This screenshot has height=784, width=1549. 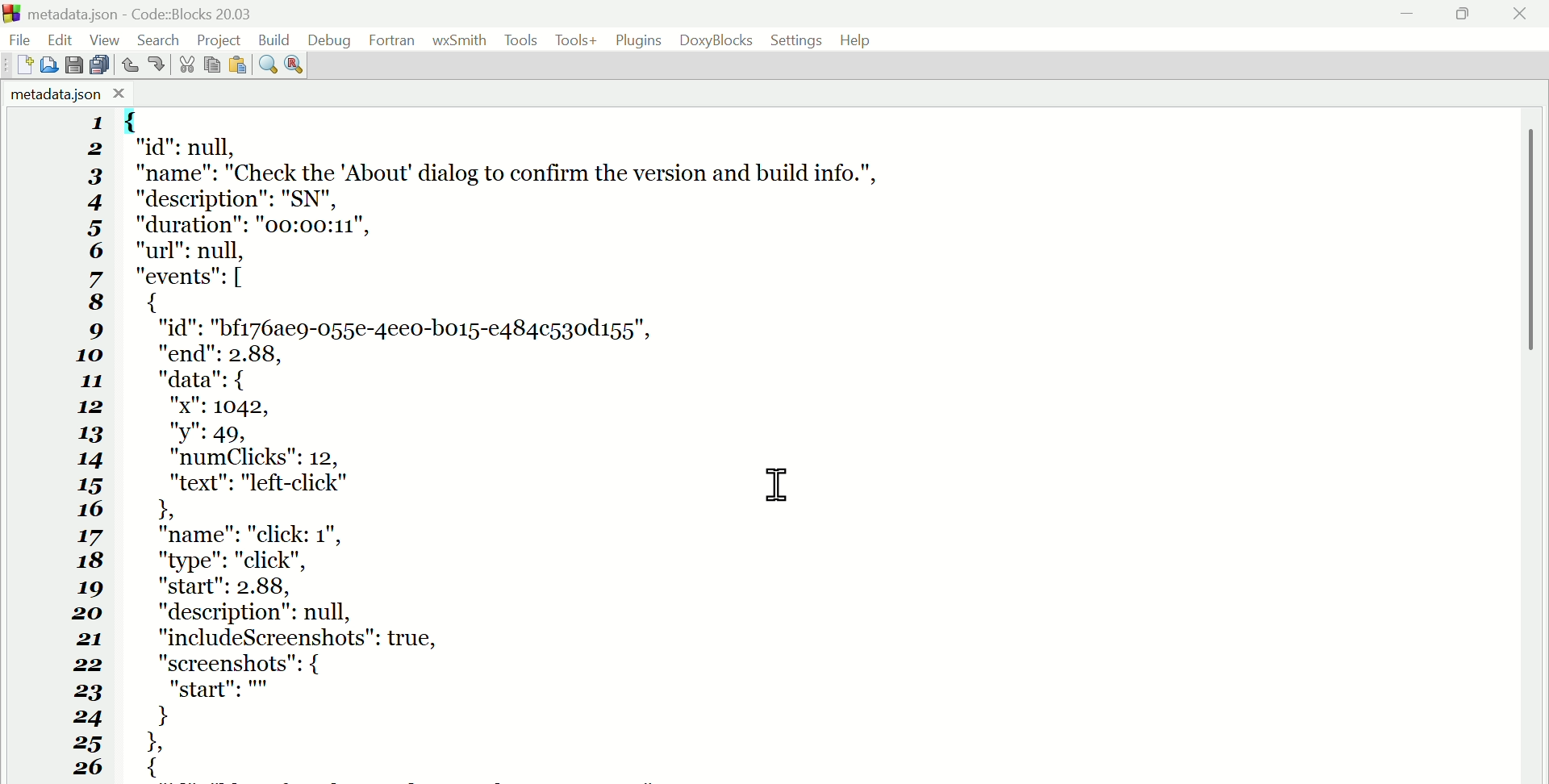 What do you see at coordinates (1521, 15) in the screenshot?
I see `Close` at bounding box center [1521, 15].